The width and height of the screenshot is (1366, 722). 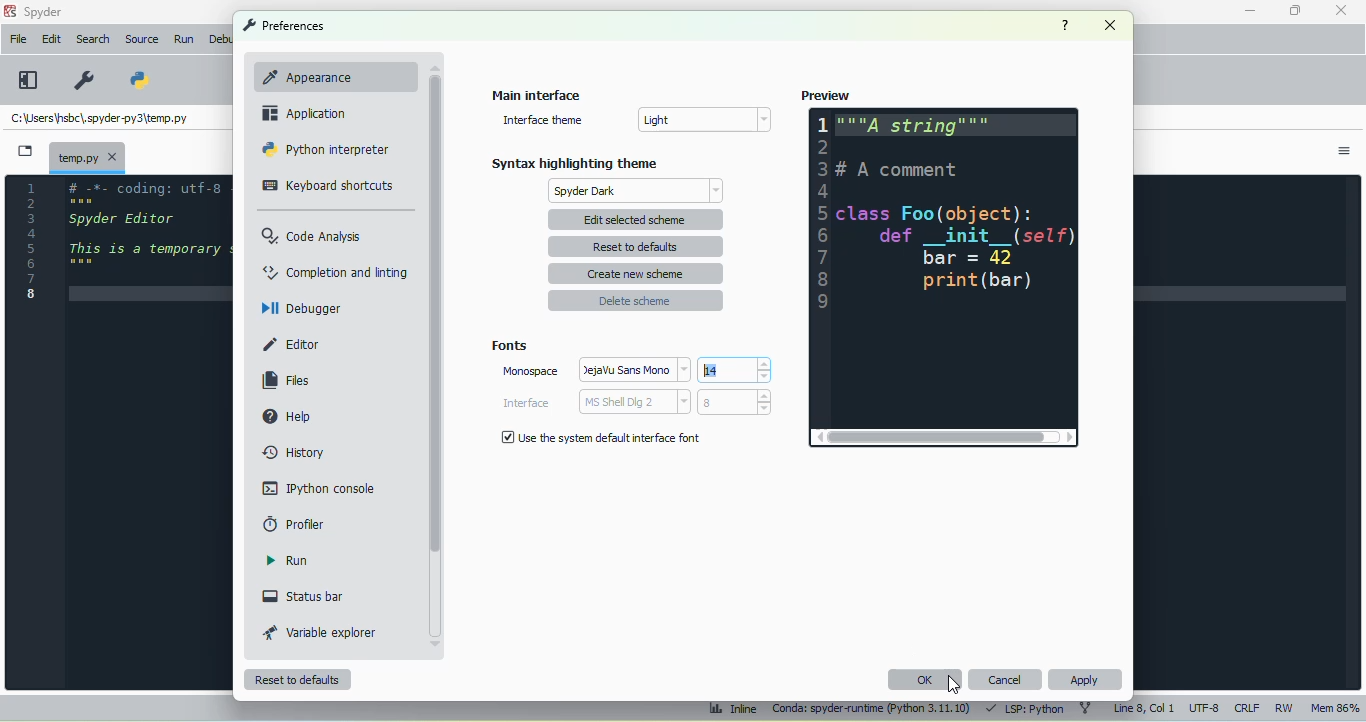 I want to click on LSP Python, so click(x=1023, y=708).